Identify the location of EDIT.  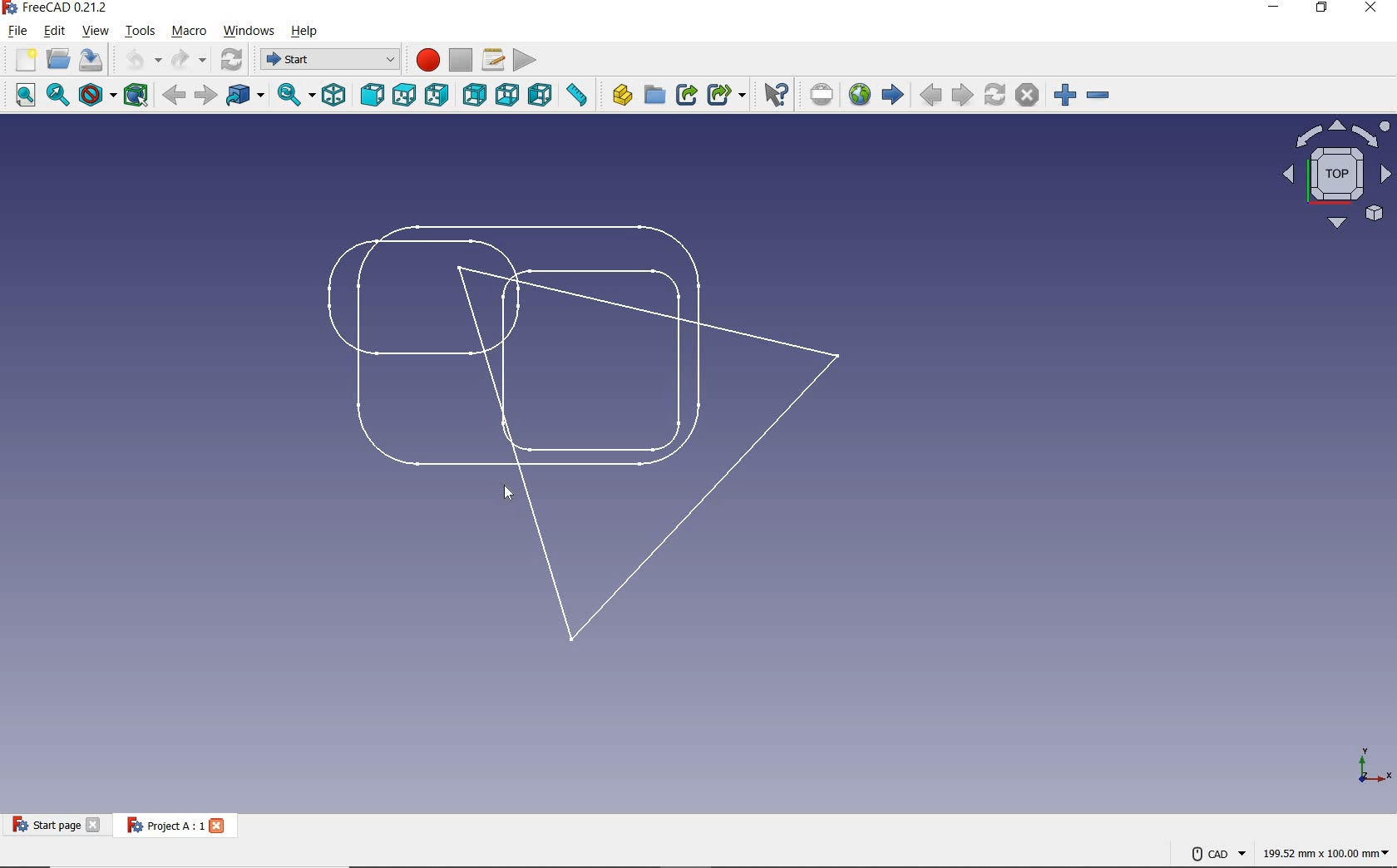
(56, 32).